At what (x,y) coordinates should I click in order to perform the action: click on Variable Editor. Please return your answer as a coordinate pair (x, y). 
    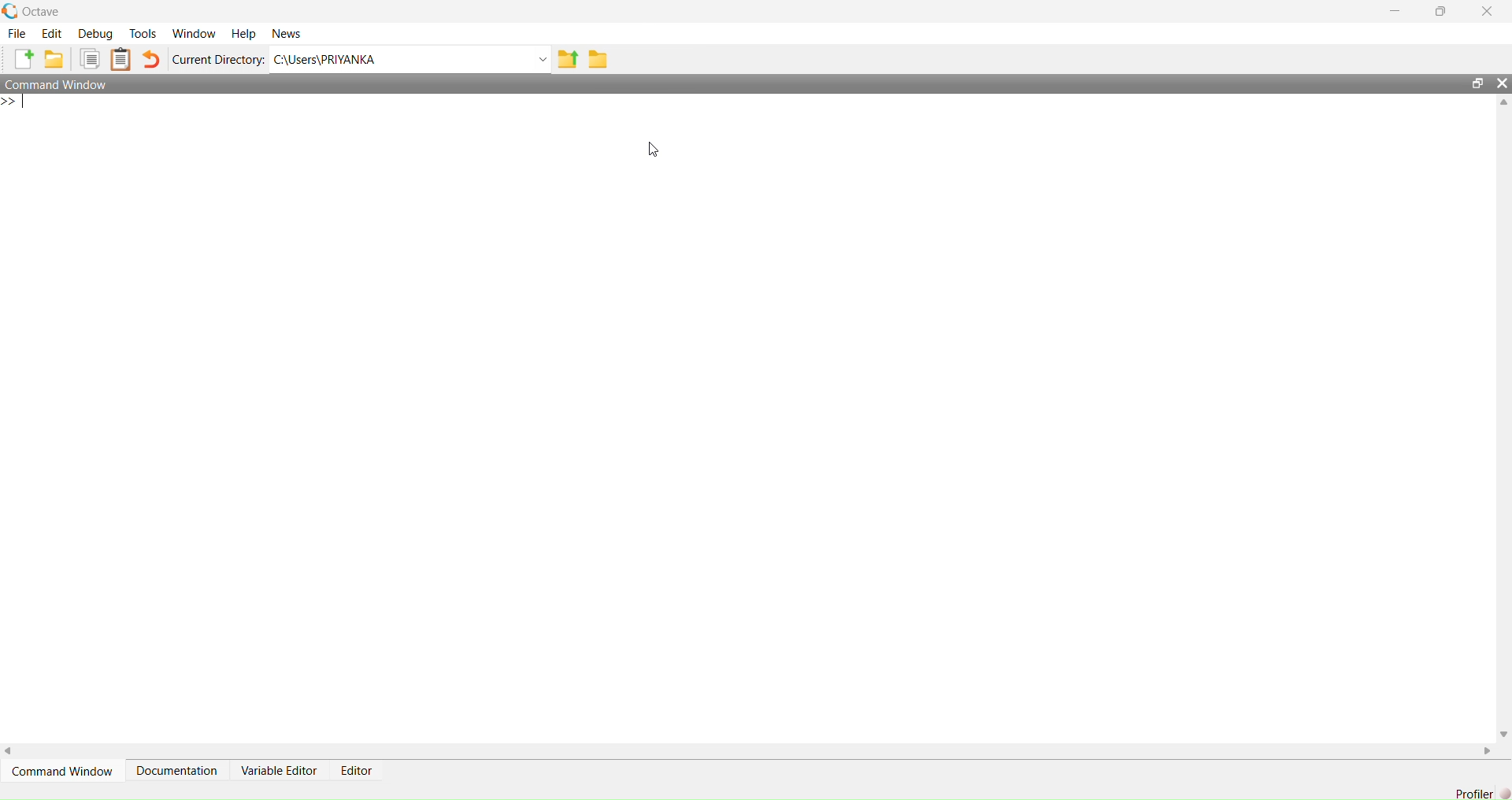
    Looking at the image, I should click on (279, 771).